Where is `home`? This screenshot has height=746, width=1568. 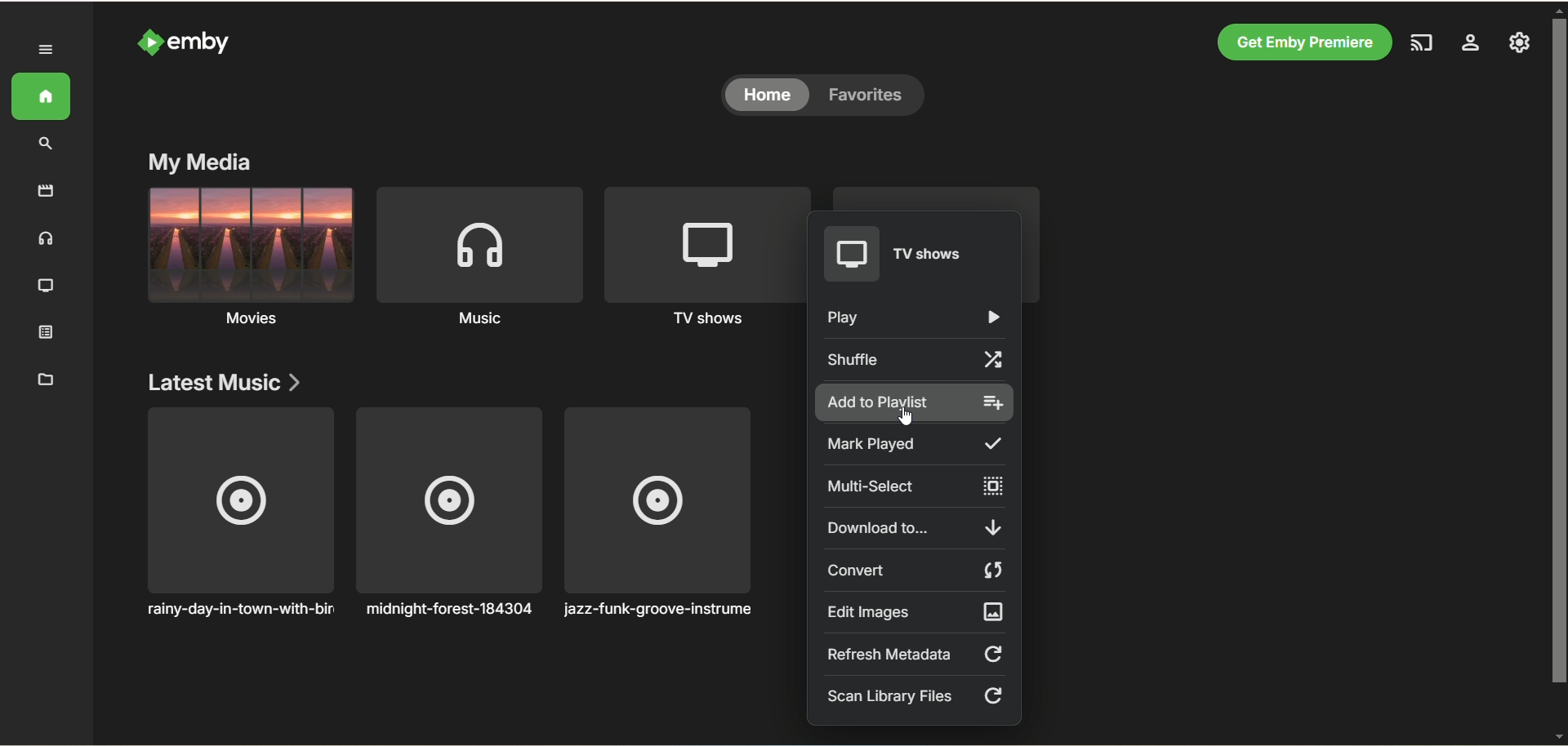 home is located at coordinates (767, 96).